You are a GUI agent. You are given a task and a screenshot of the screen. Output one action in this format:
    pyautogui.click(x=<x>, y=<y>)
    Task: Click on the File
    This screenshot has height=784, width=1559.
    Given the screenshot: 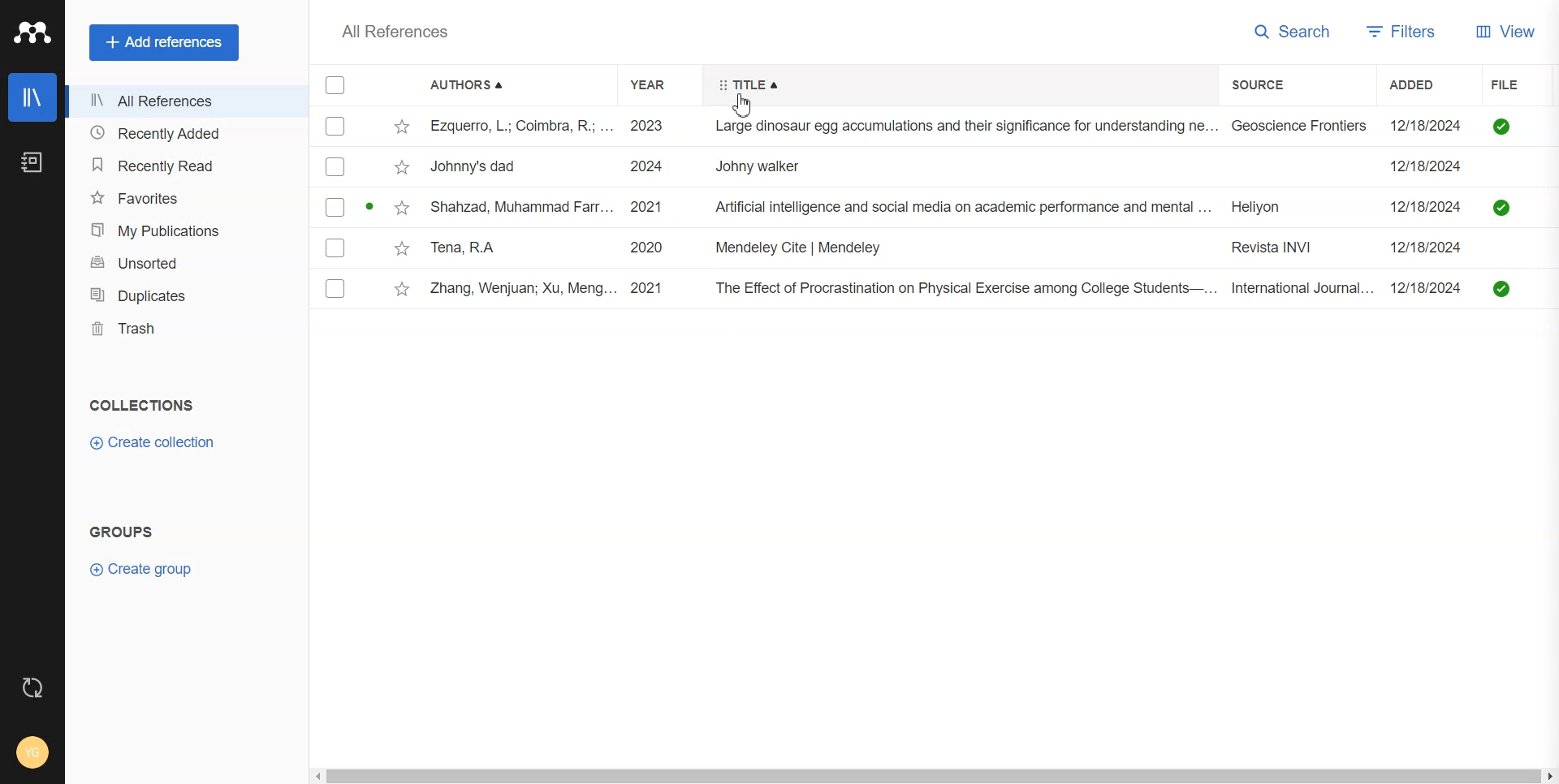 What is the action you would take?
    pyautogui.click(x=992, y=167)
    